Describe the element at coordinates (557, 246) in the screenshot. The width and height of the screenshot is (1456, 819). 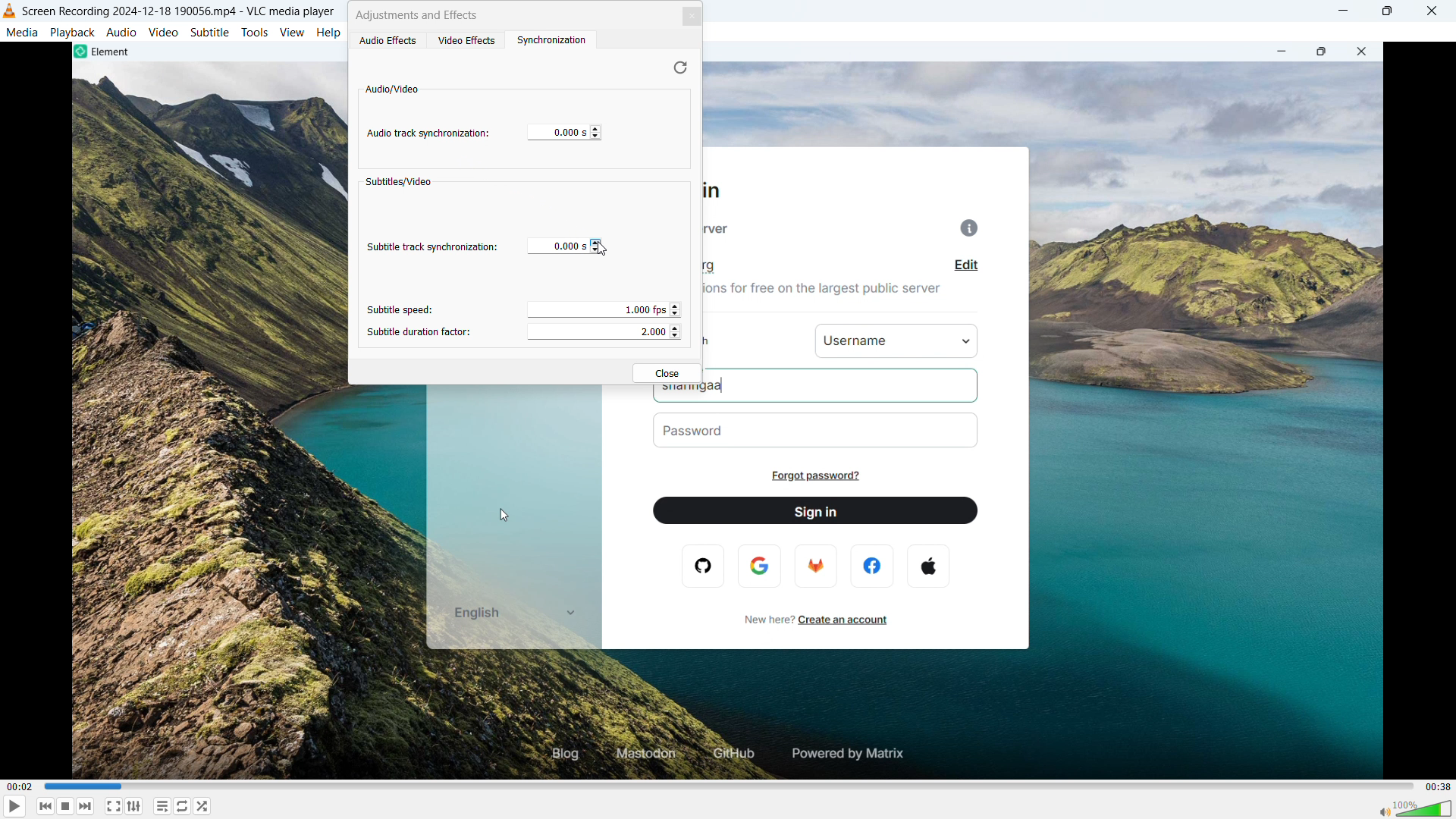
I see `edit subtitle track synchronization` at that location.